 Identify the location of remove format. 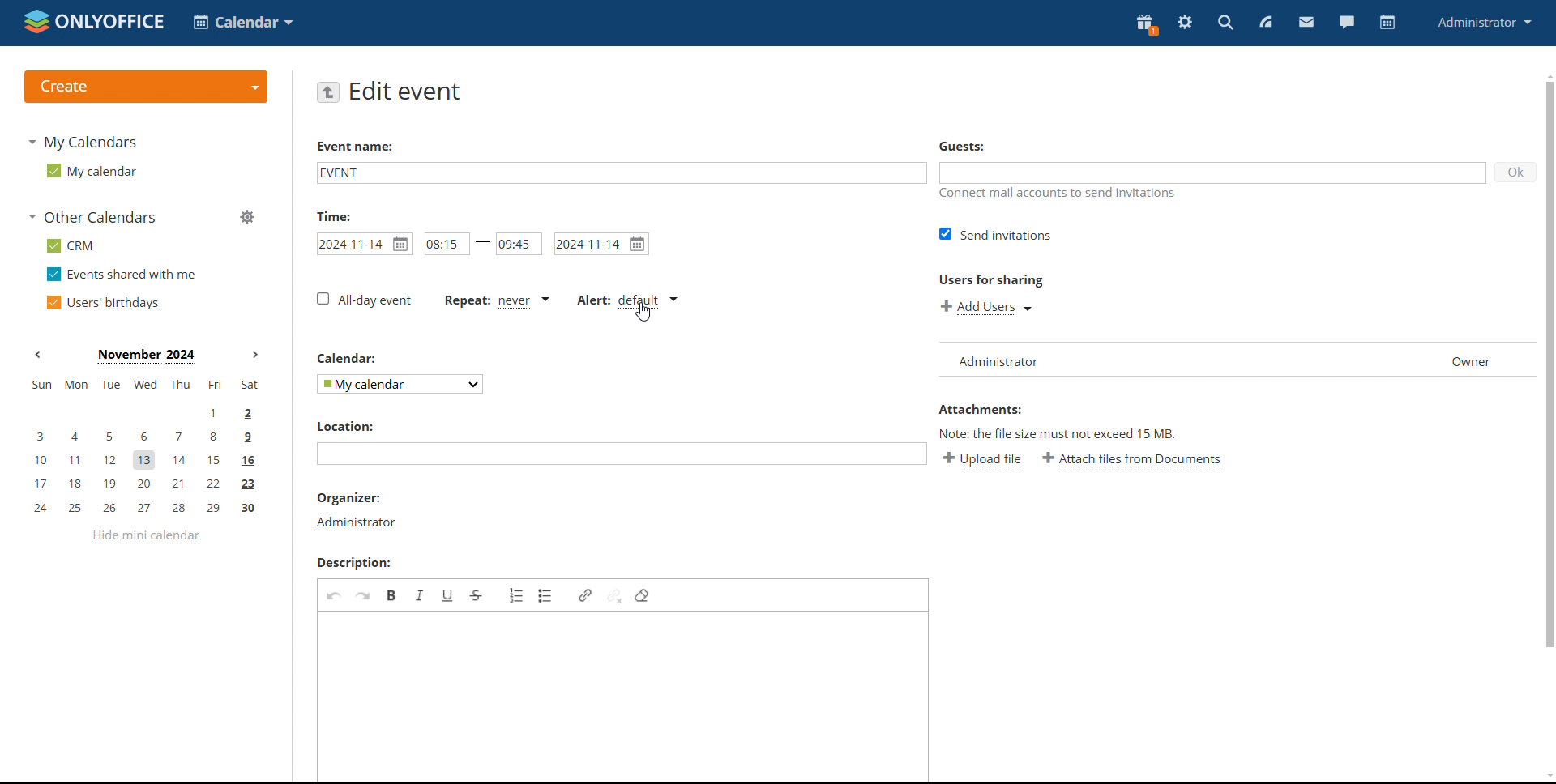
(643, 594).